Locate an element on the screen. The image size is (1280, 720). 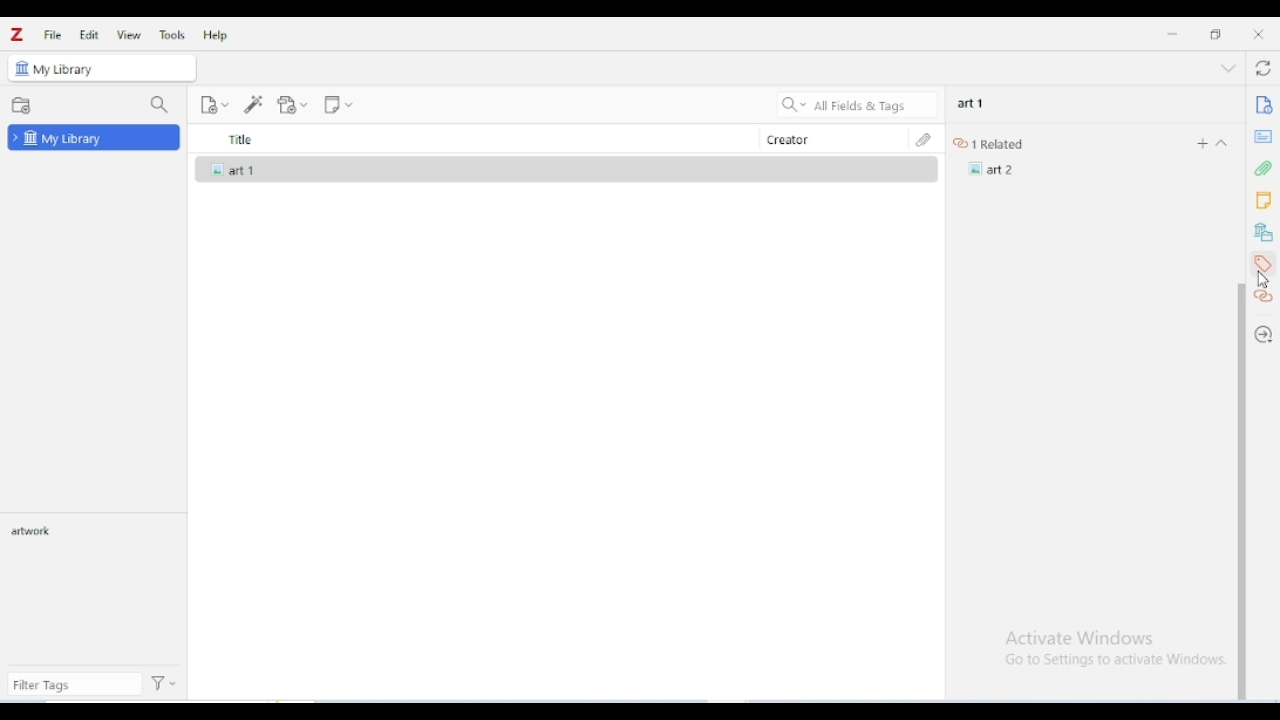
actions is located at coordinates (165, 685).